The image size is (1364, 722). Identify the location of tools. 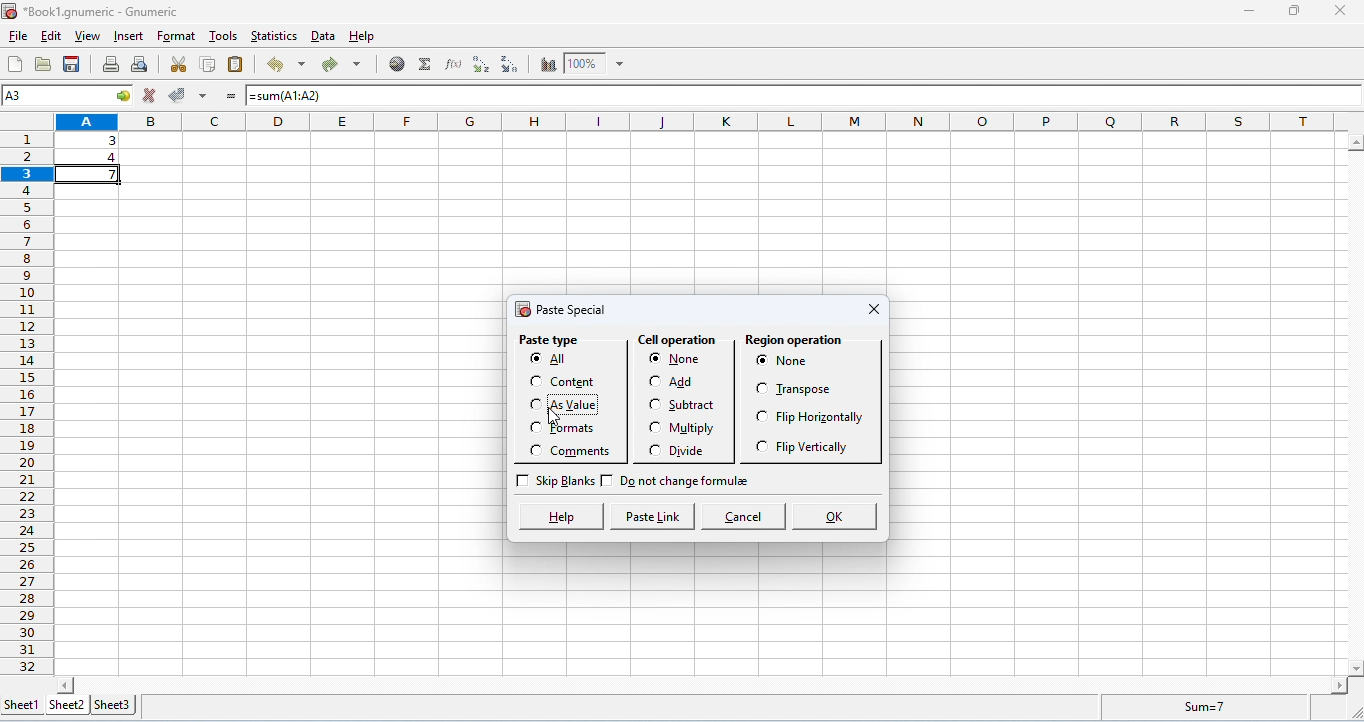
(223, 37).